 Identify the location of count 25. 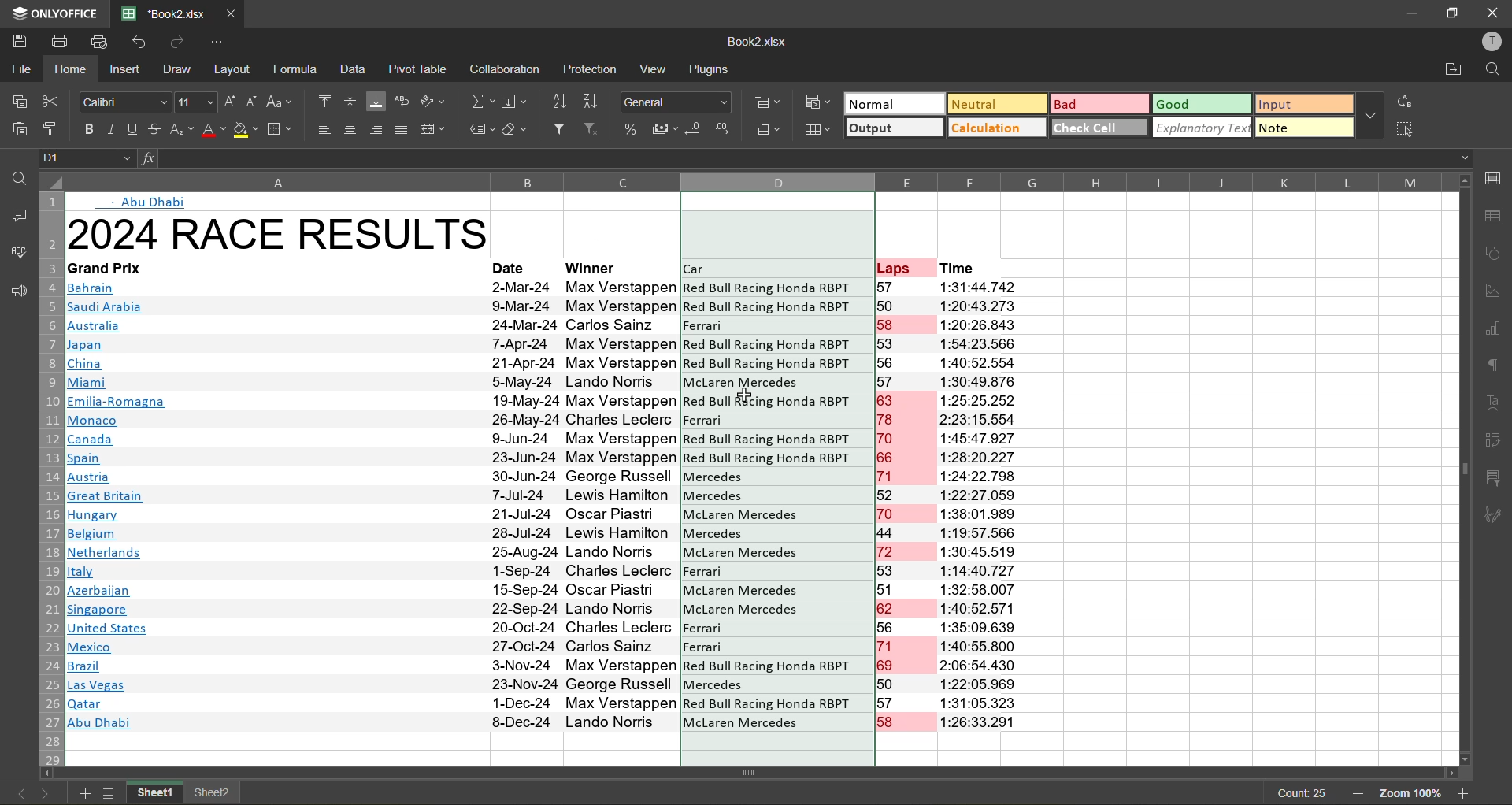
(1299, 793).